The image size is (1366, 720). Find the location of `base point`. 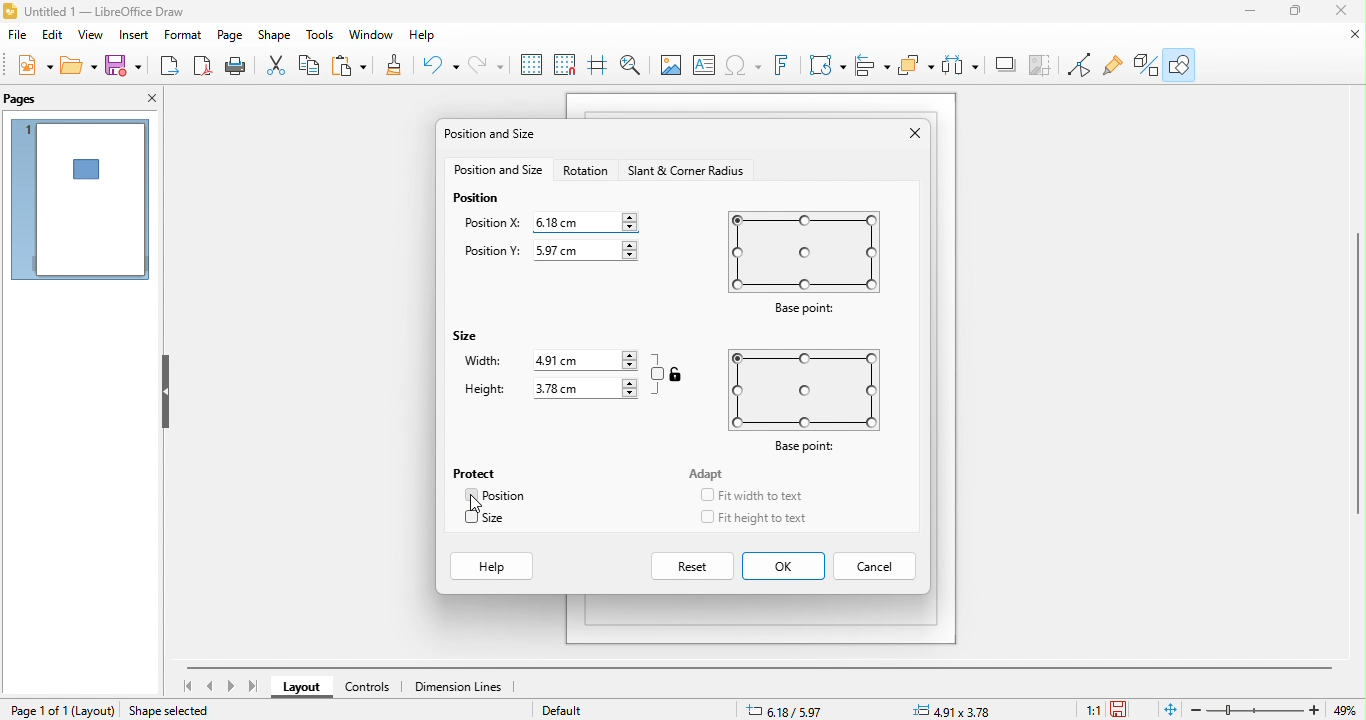

base point is located at coordinates (802, 262).